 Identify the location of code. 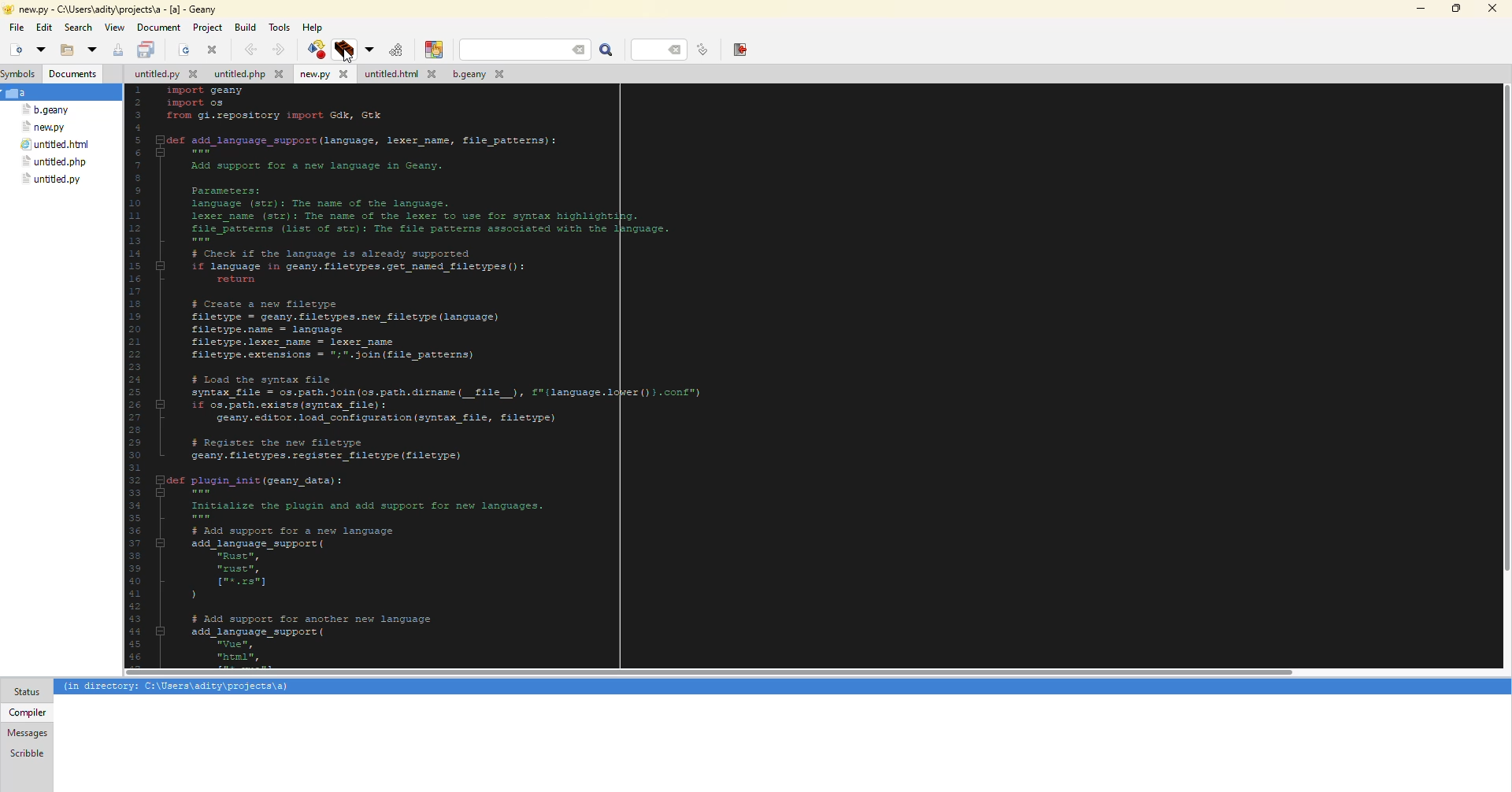
(427, 374).